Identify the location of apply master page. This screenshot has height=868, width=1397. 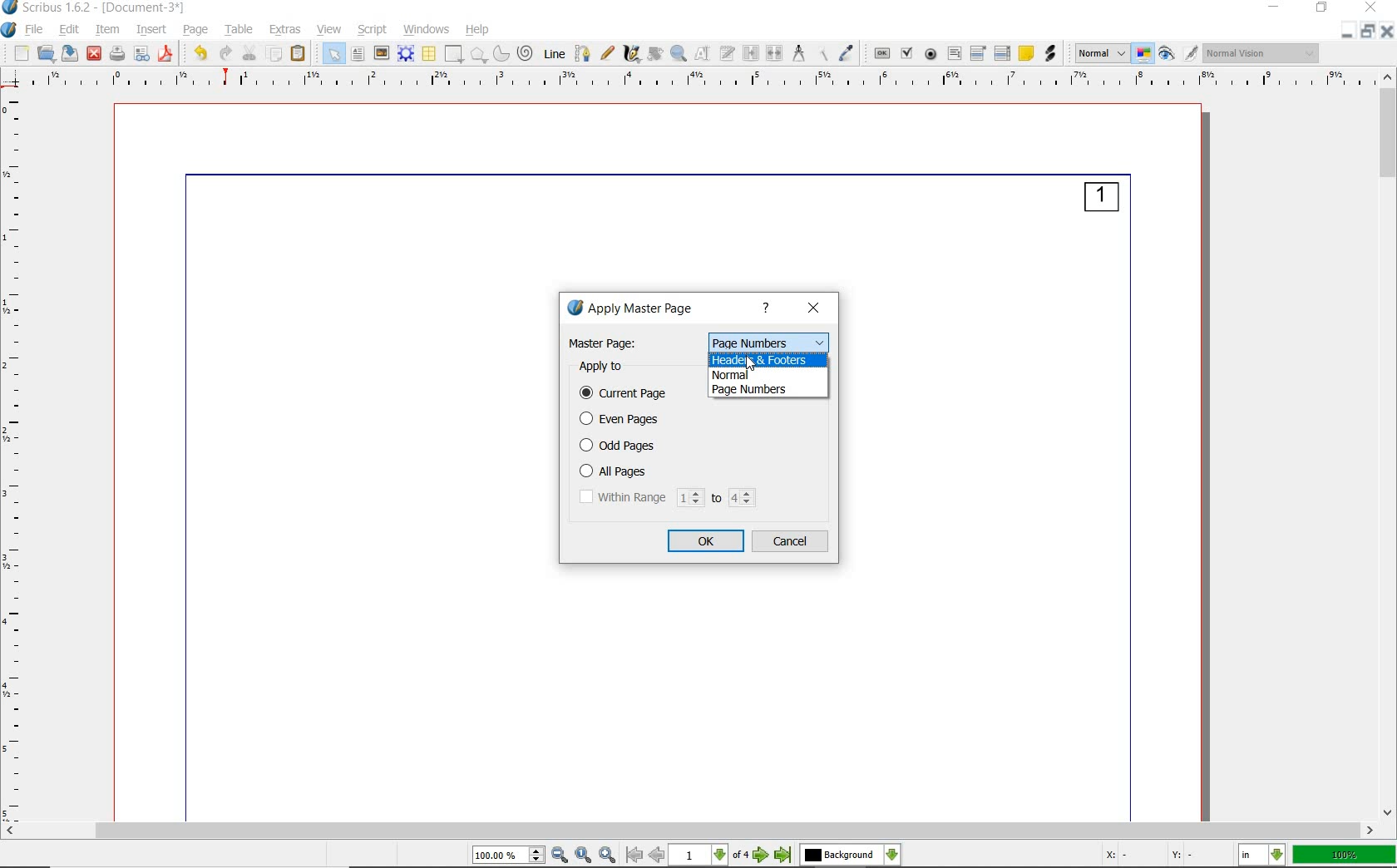
(640, 309).